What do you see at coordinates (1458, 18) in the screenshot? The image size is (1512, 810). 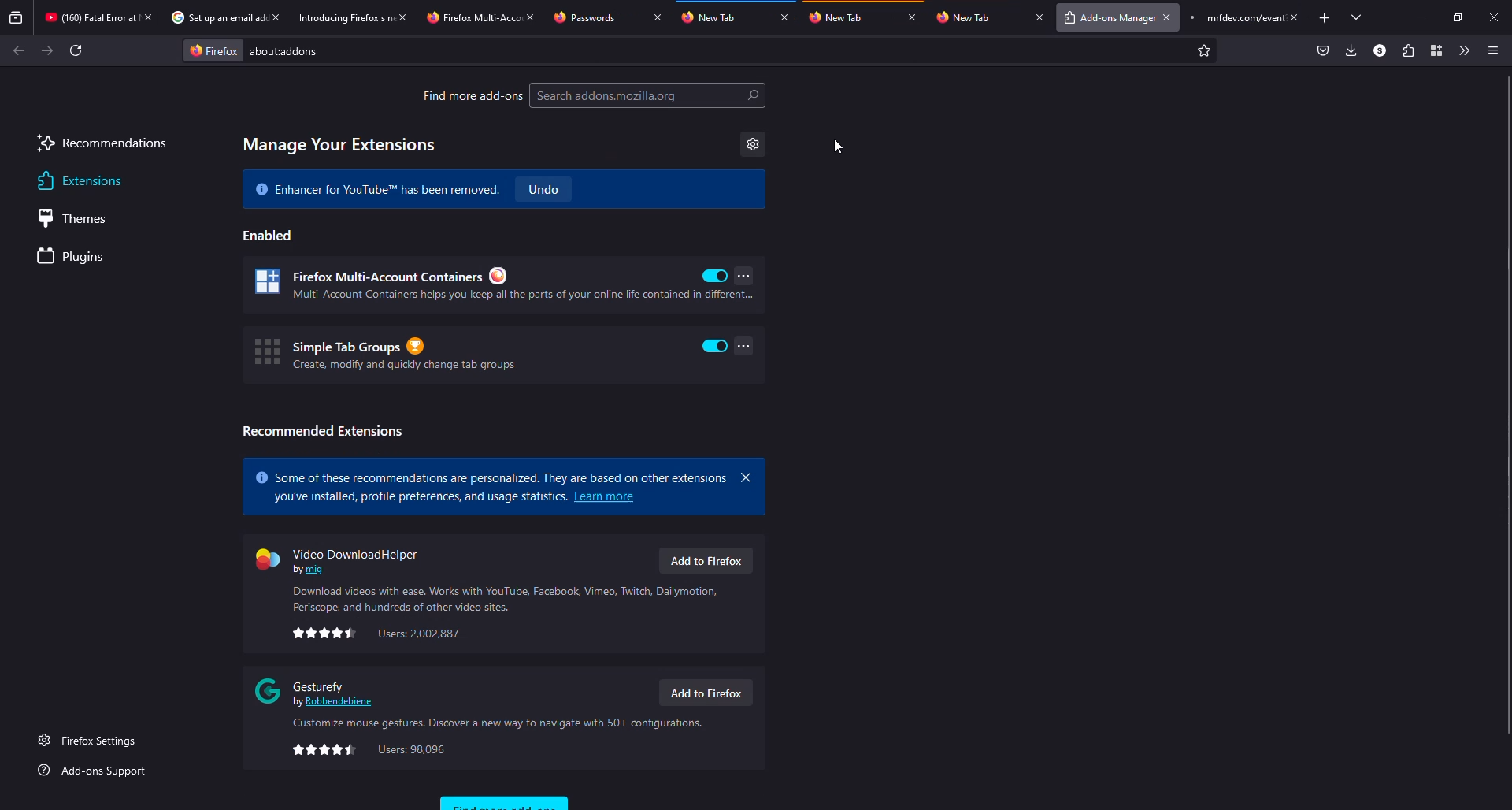 I see `maximize` at bounding box center [1458, 18].